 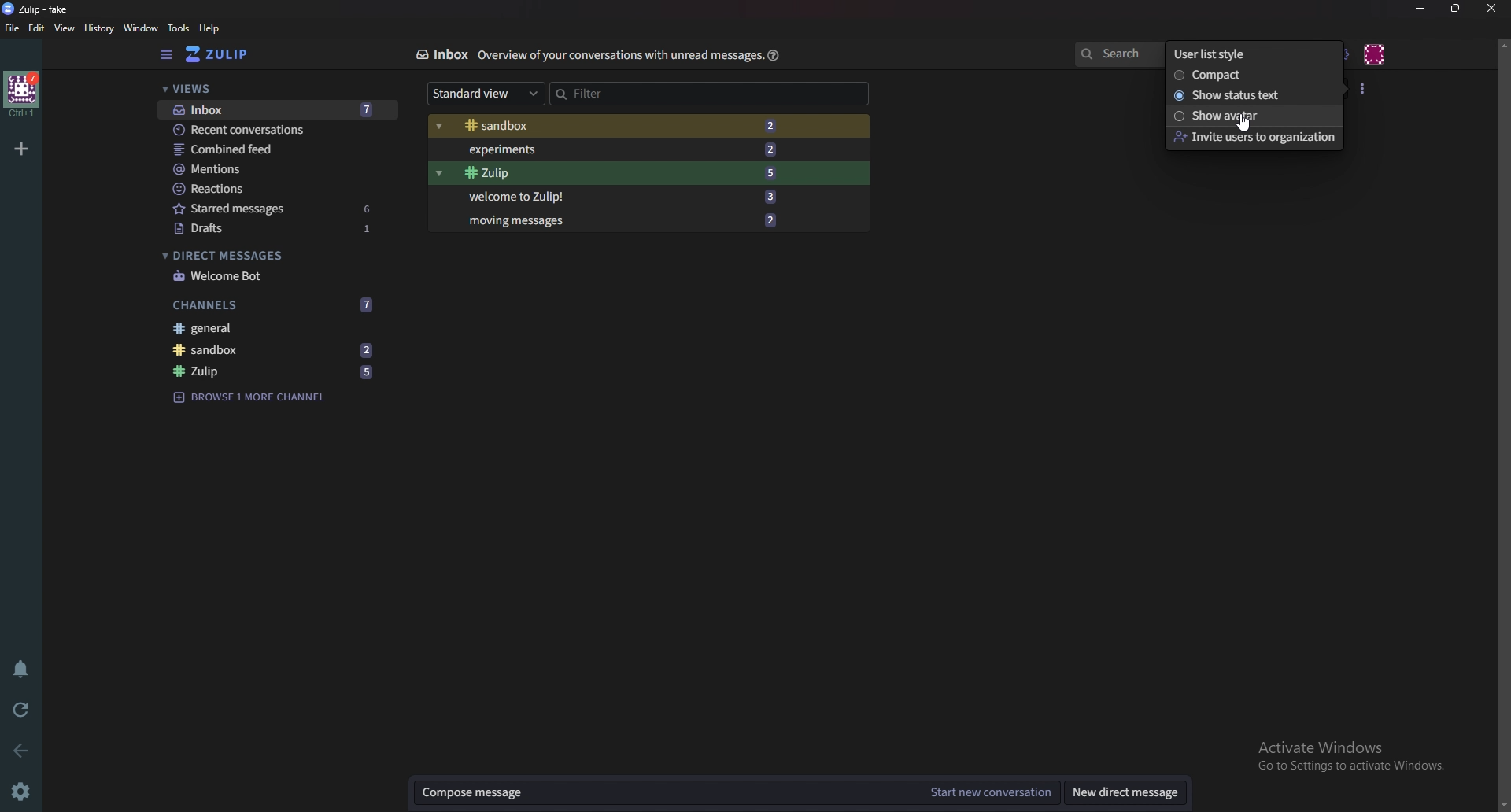 I want to click on cursor, so click(x=1242, y=124).